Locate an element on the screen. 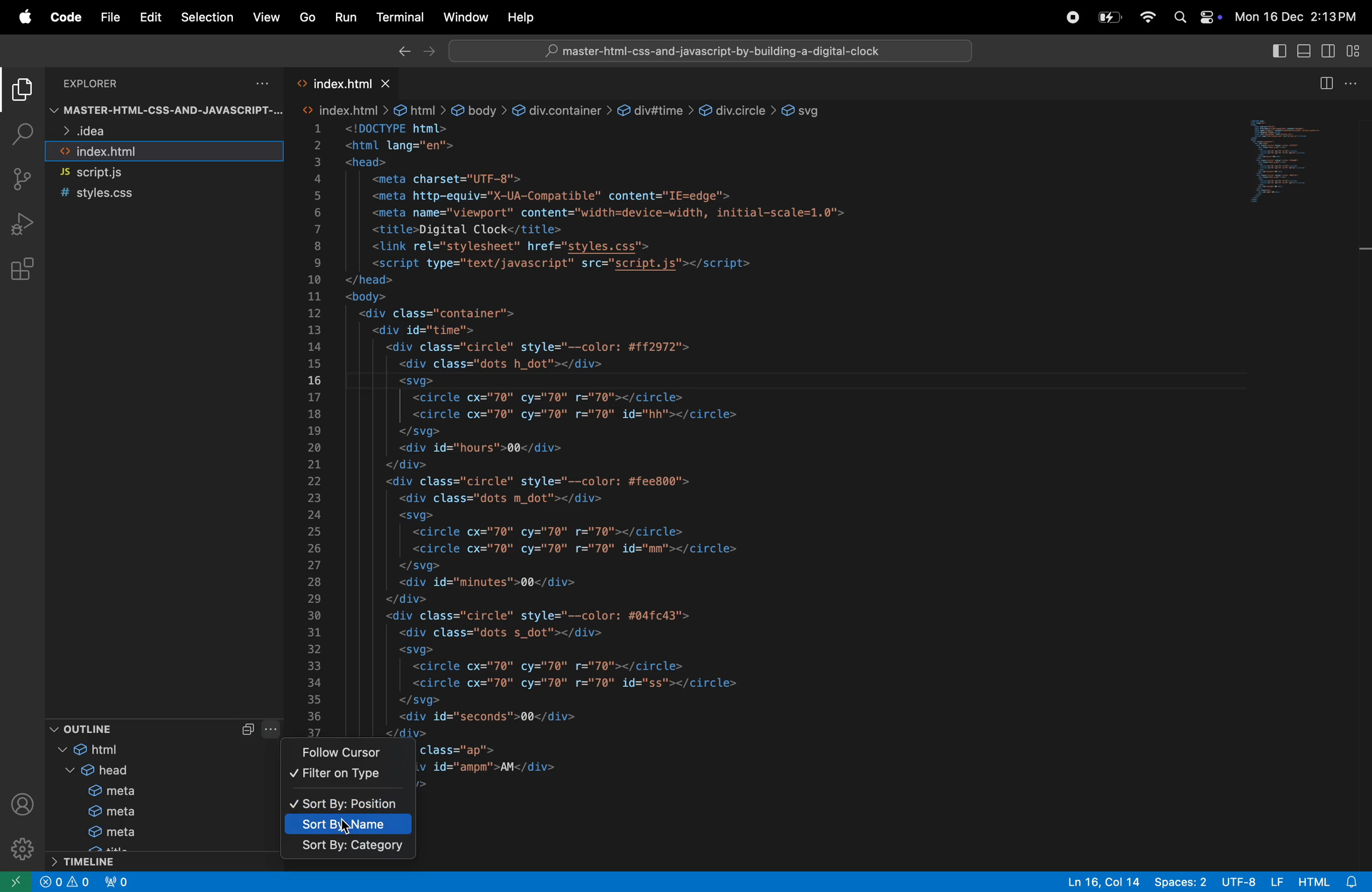  source control is located at coordinates (22, 179).